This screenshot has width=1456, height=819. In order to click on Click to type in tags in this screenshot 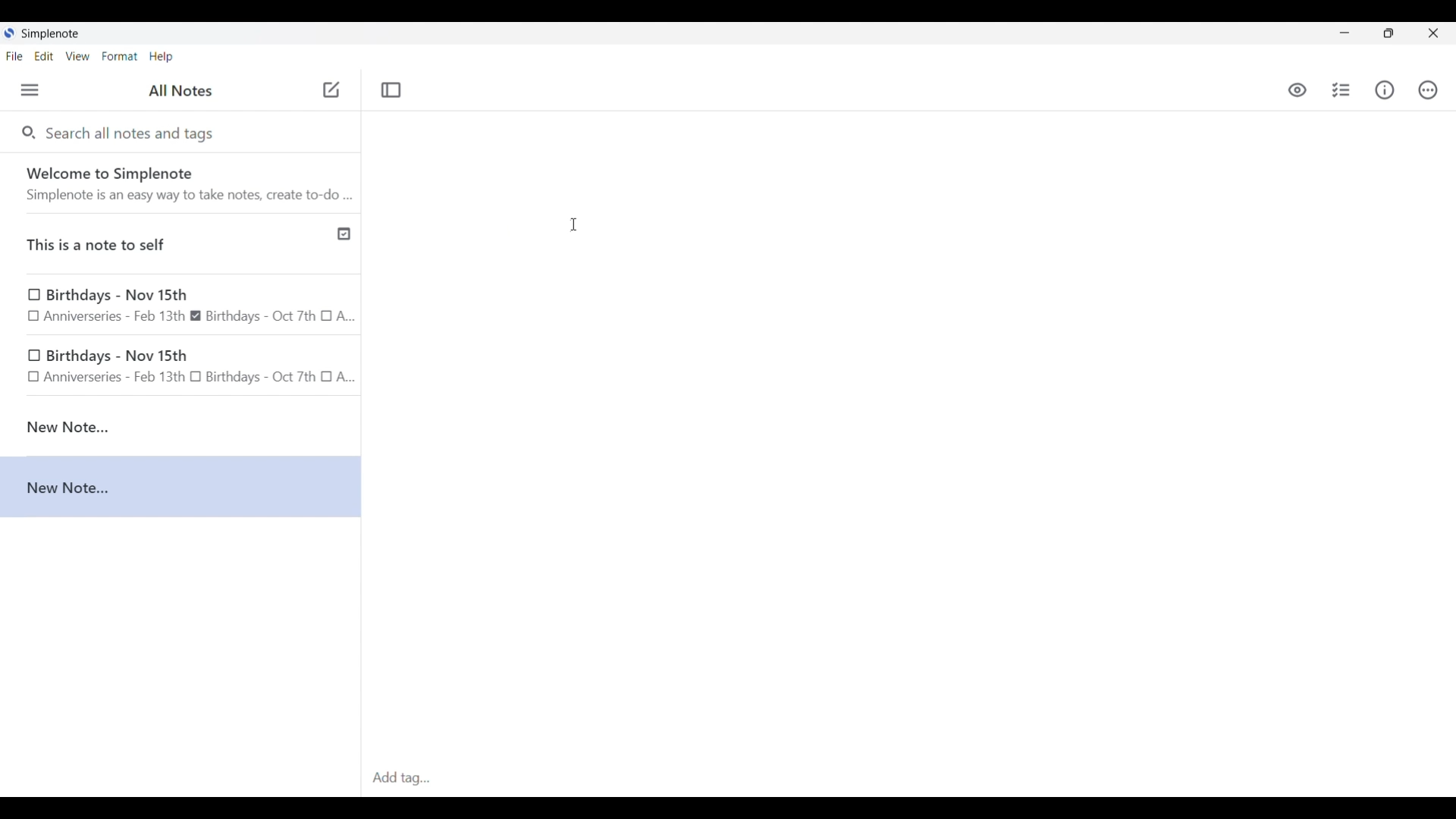, I will do `click(908, 779)`.